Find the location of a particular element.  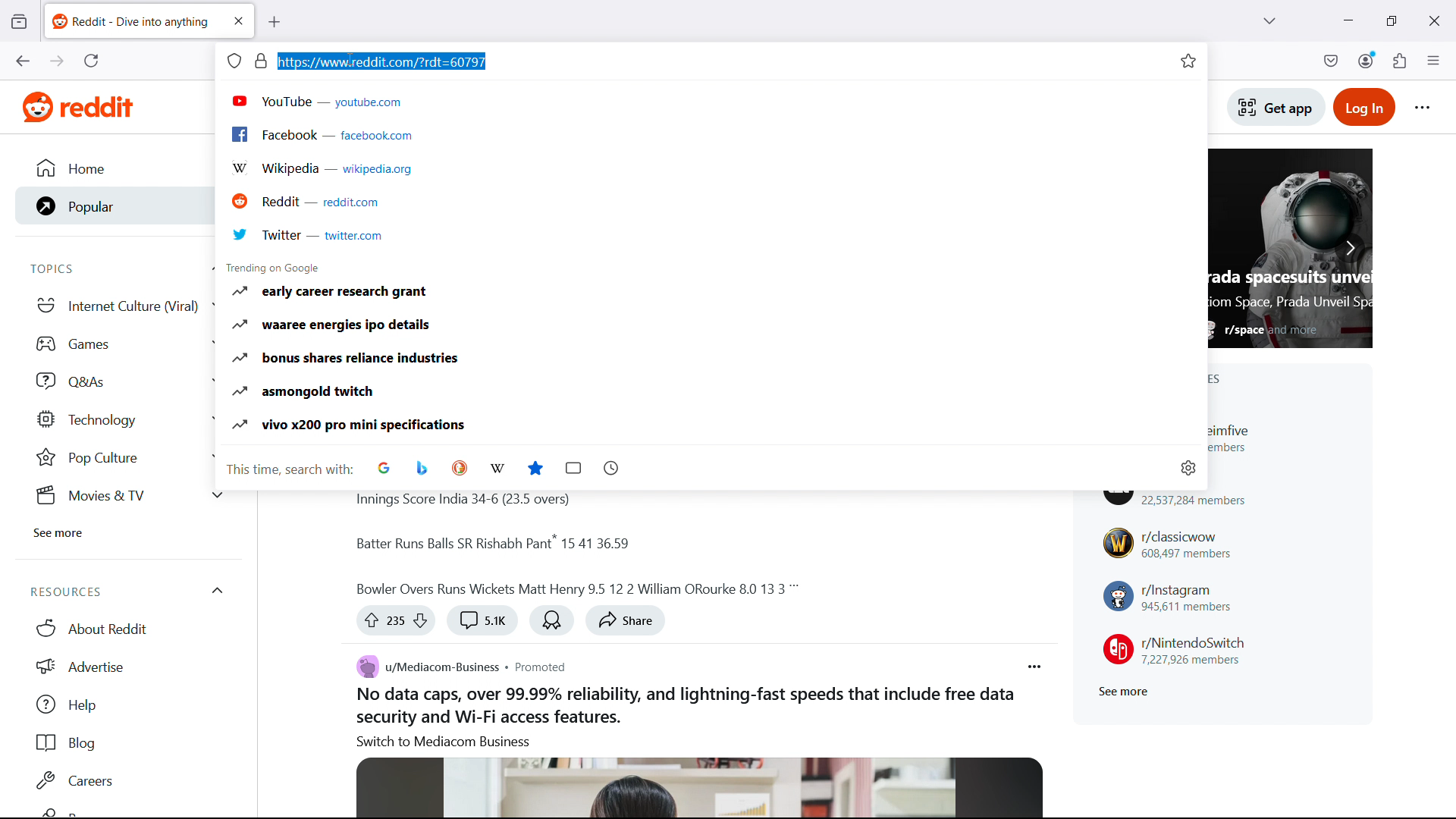

Early career research grant is located at coordinates (710, 293).